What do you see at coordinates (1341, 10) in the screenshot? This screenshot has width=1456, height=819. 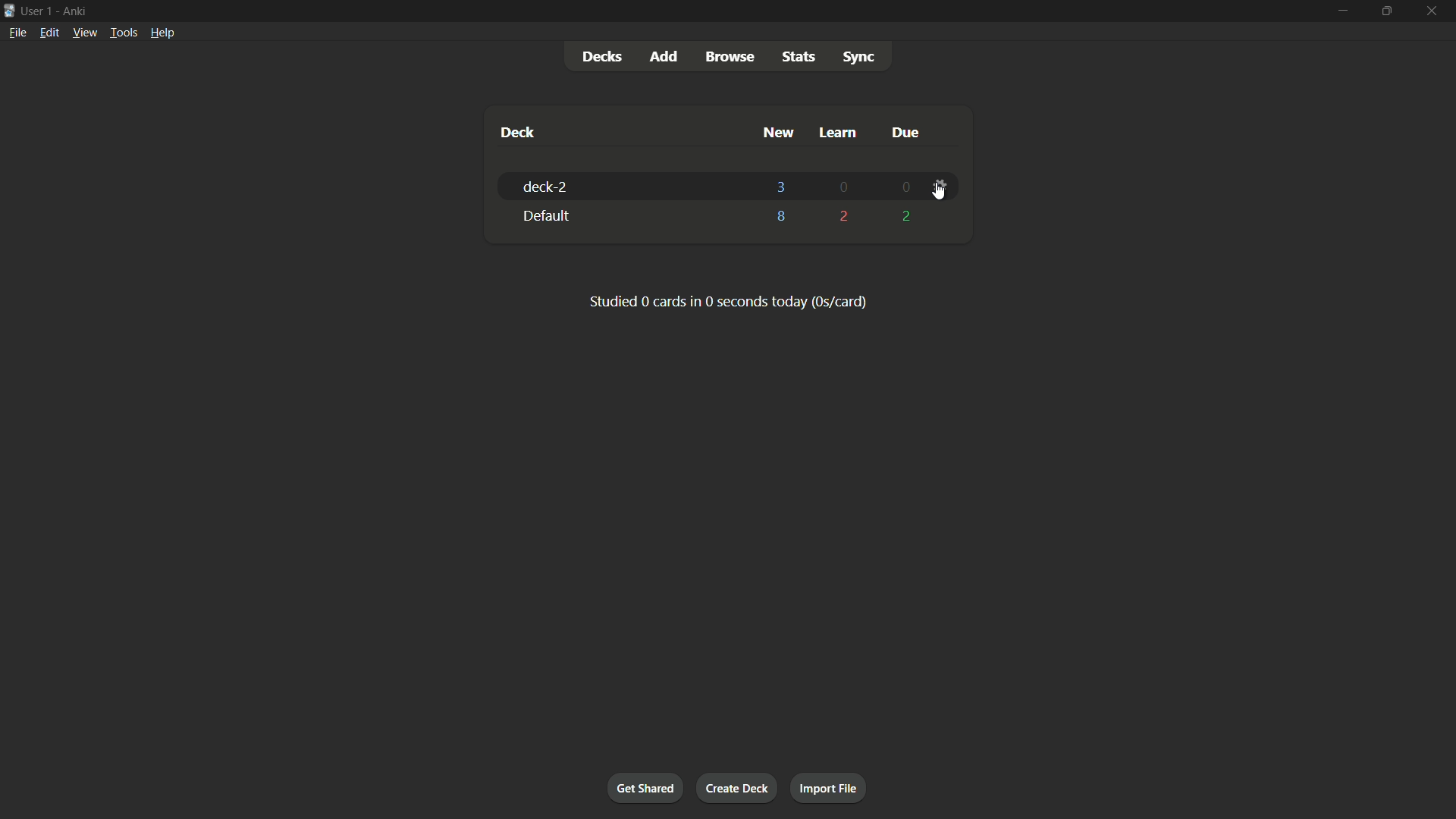 I see `minimize` at bounding box center [1341, 10].